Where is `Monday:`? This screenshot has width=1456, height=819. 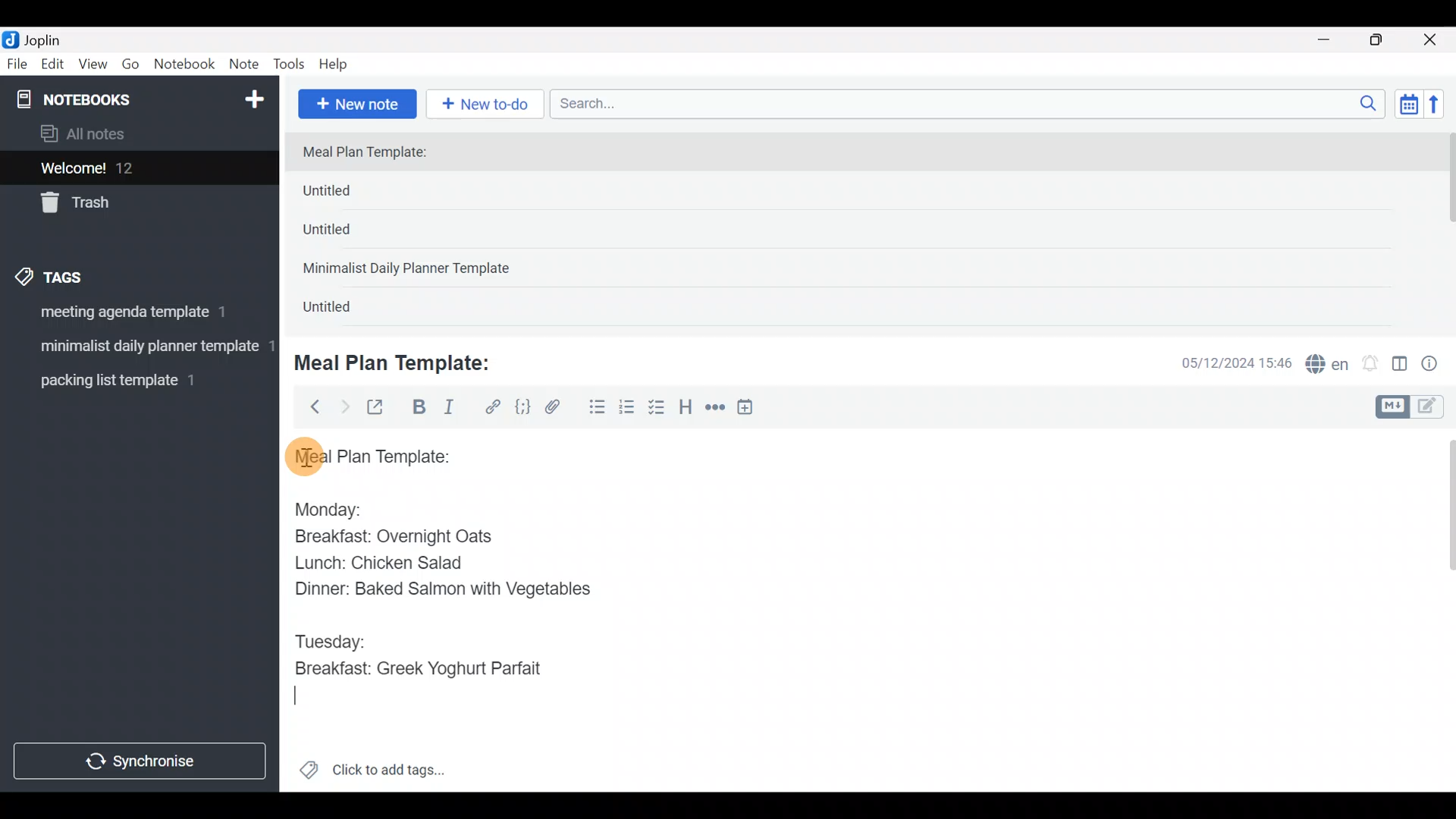 Monday: is located at coordinates (318, 507).